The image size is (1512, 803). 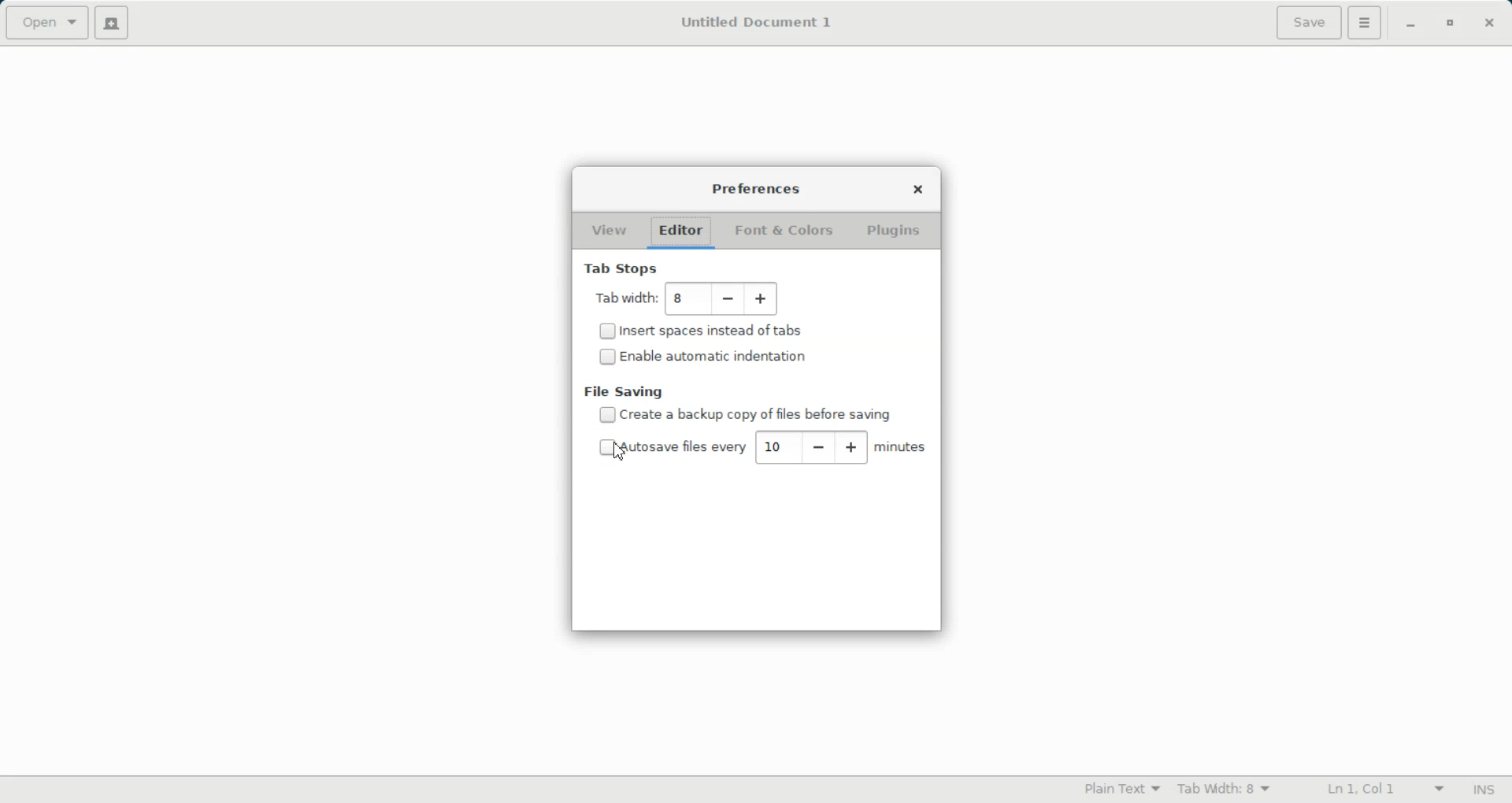 I want to click on Untitled Document 1, so click(x=758, y=24).